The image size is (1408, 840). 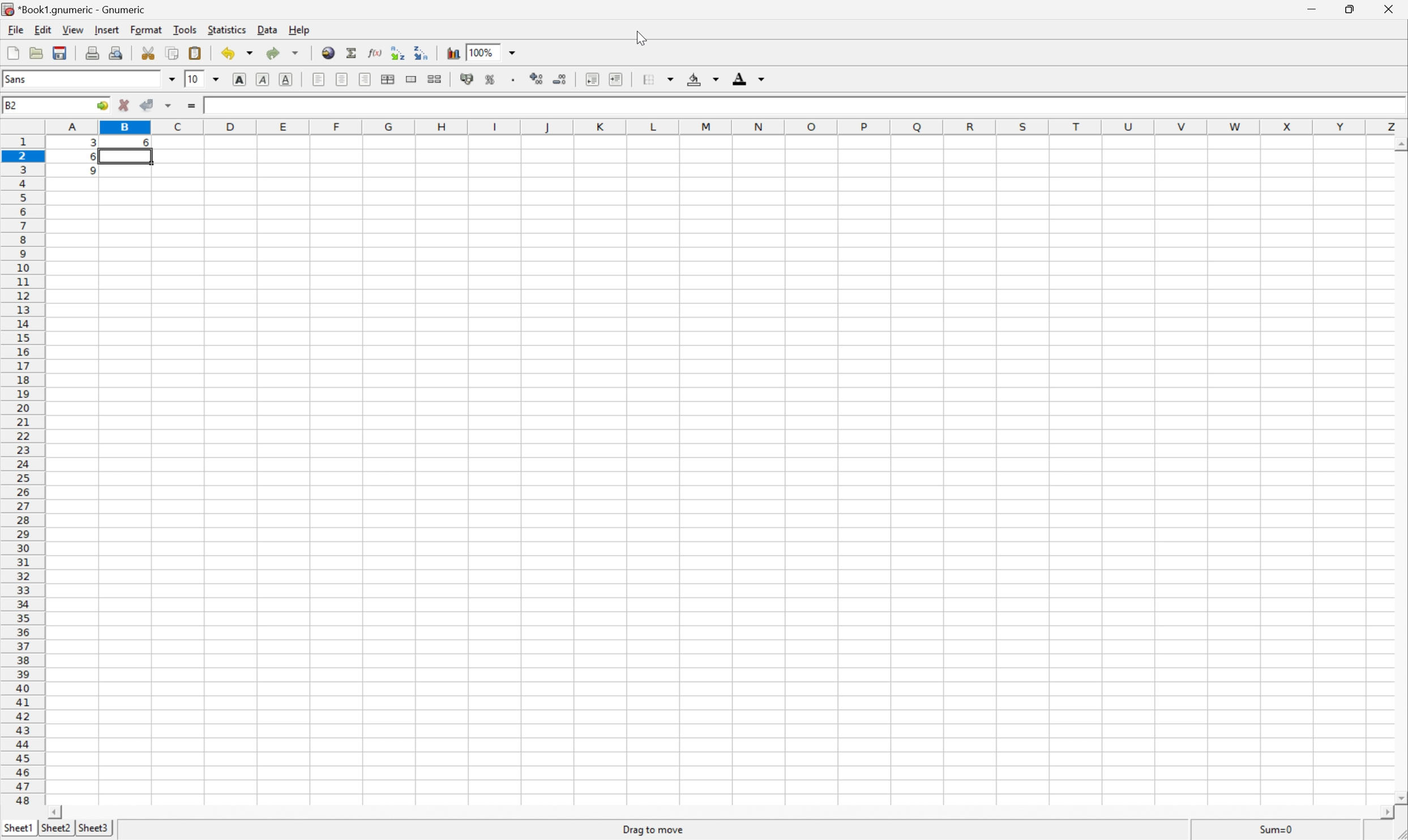 I want to click on Enter formula, so click(x=190, y=106).